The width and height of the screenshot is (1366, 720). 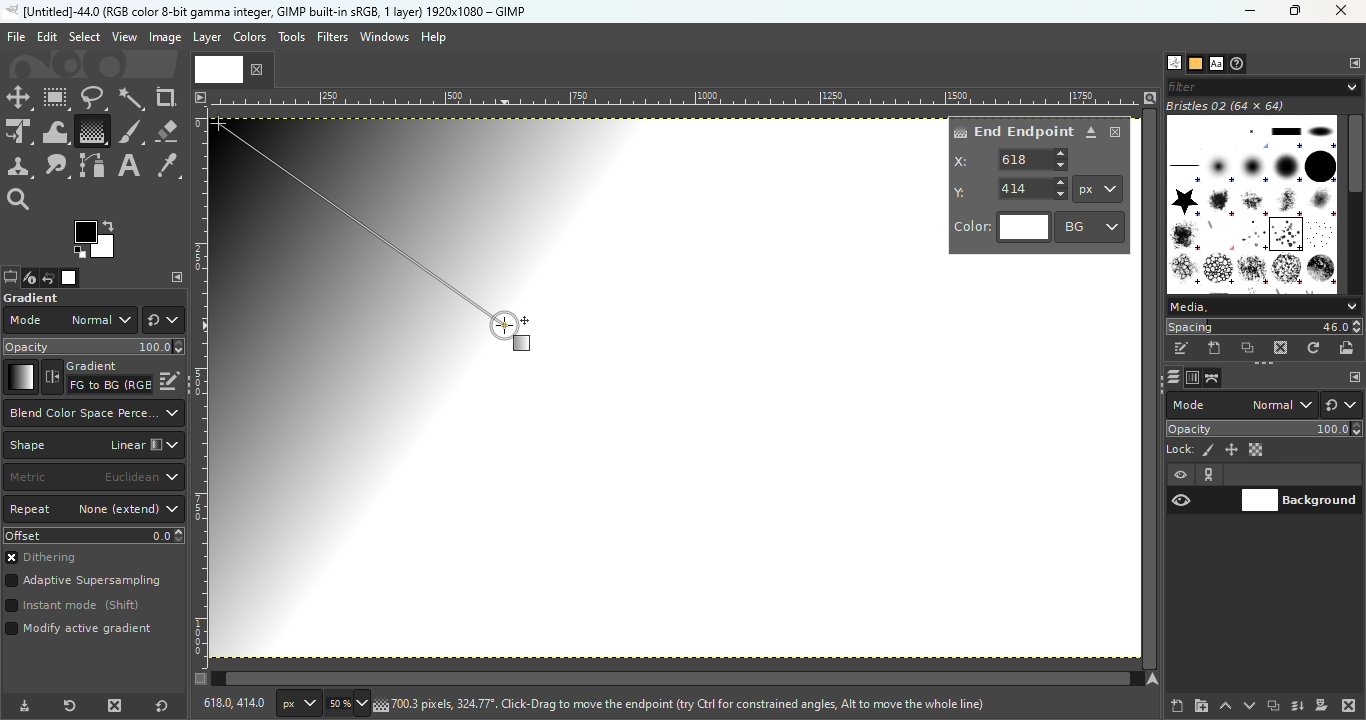 What do you see at coordinates (1012, 159) in the screenshot?
I see `X axis measurment` at bounding box center [1012, 159].